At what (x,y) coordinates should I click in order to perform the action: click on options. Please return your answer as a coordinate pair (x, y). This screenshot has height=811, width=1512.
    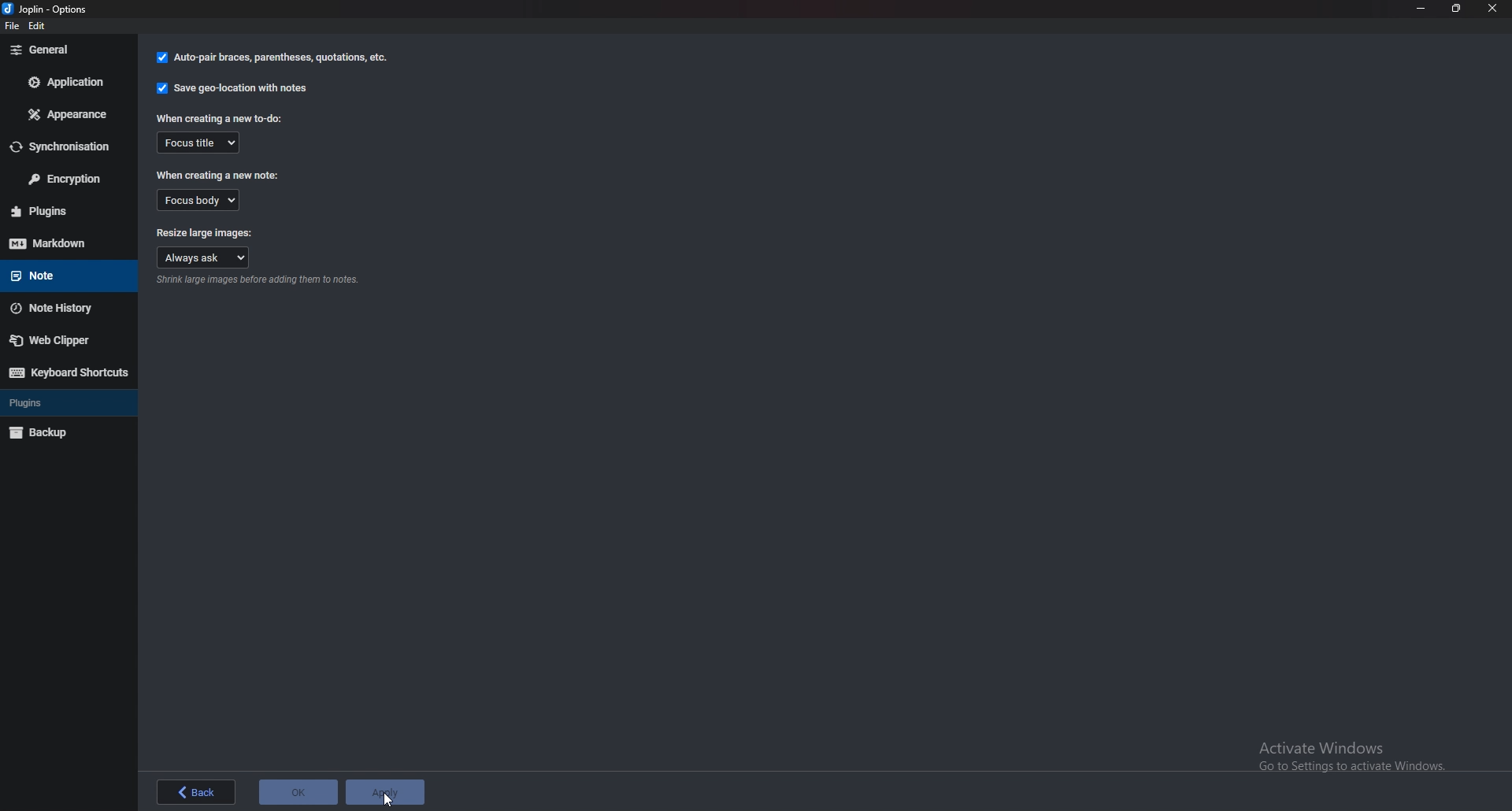
    Looking at the image, I should click on (49, 10).